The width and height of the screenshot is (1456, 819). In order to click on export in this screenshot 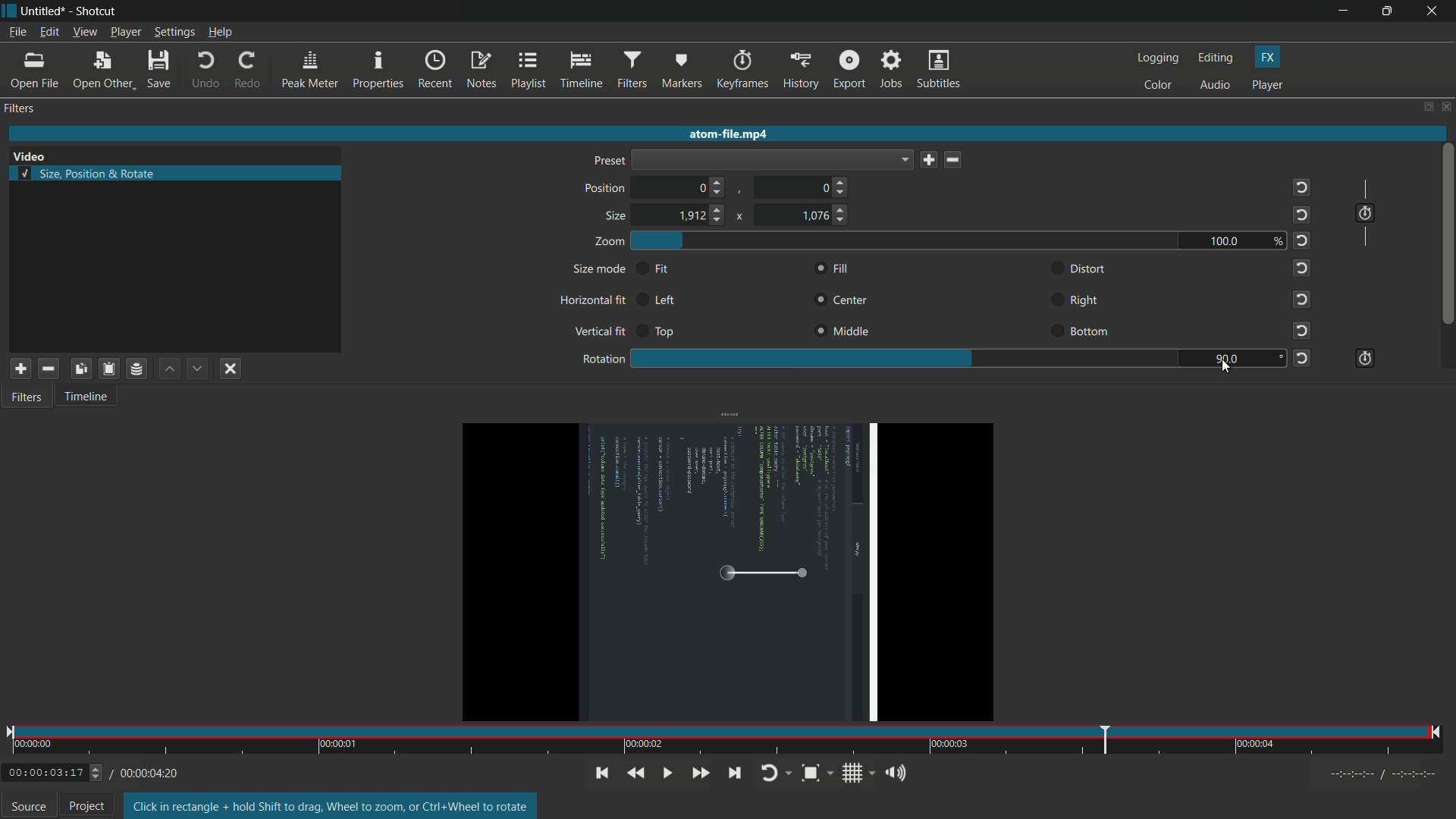, I will do `click(847, 71)`.